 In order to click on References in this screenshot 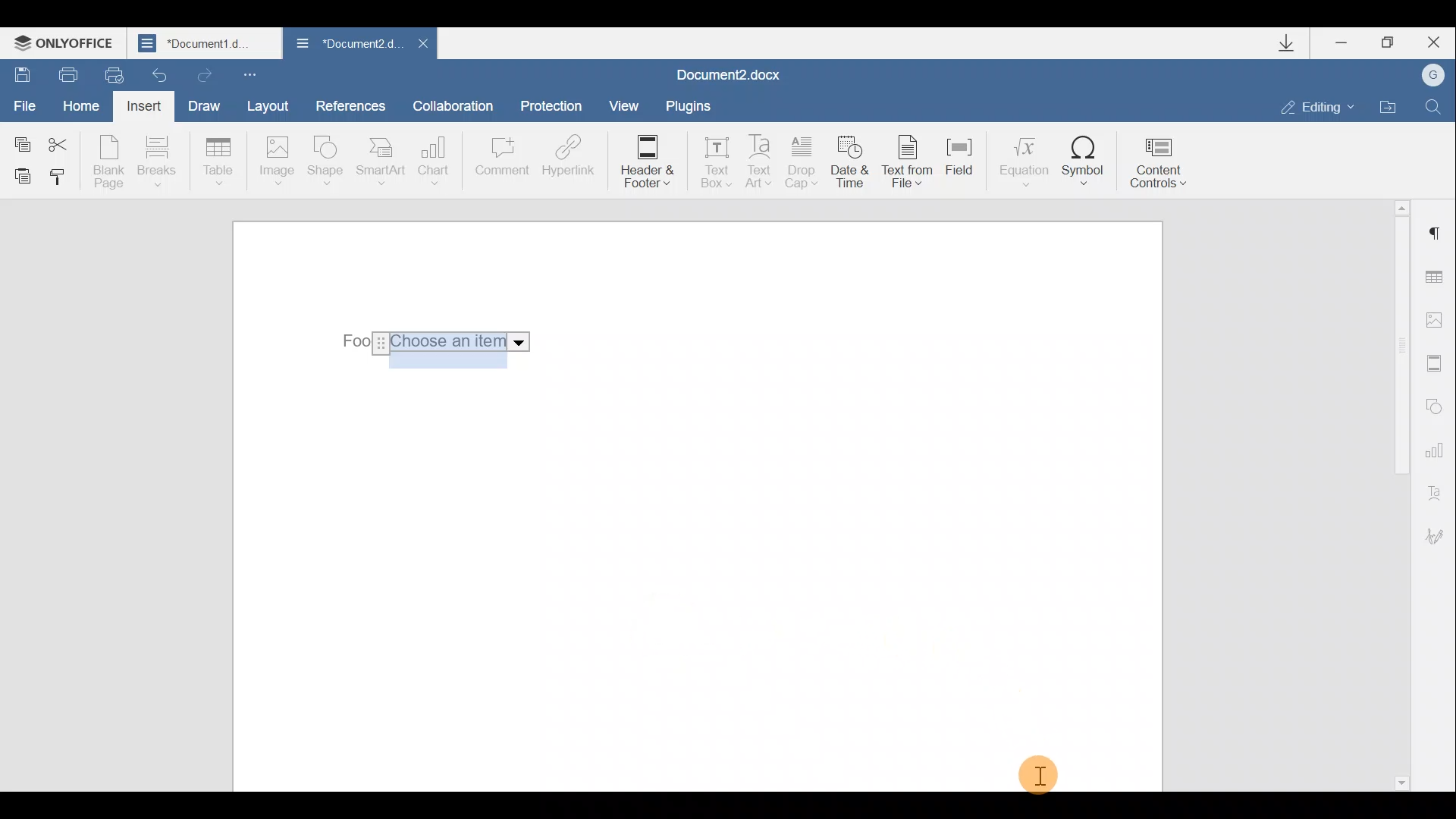, I will do `click(350, 104)`.